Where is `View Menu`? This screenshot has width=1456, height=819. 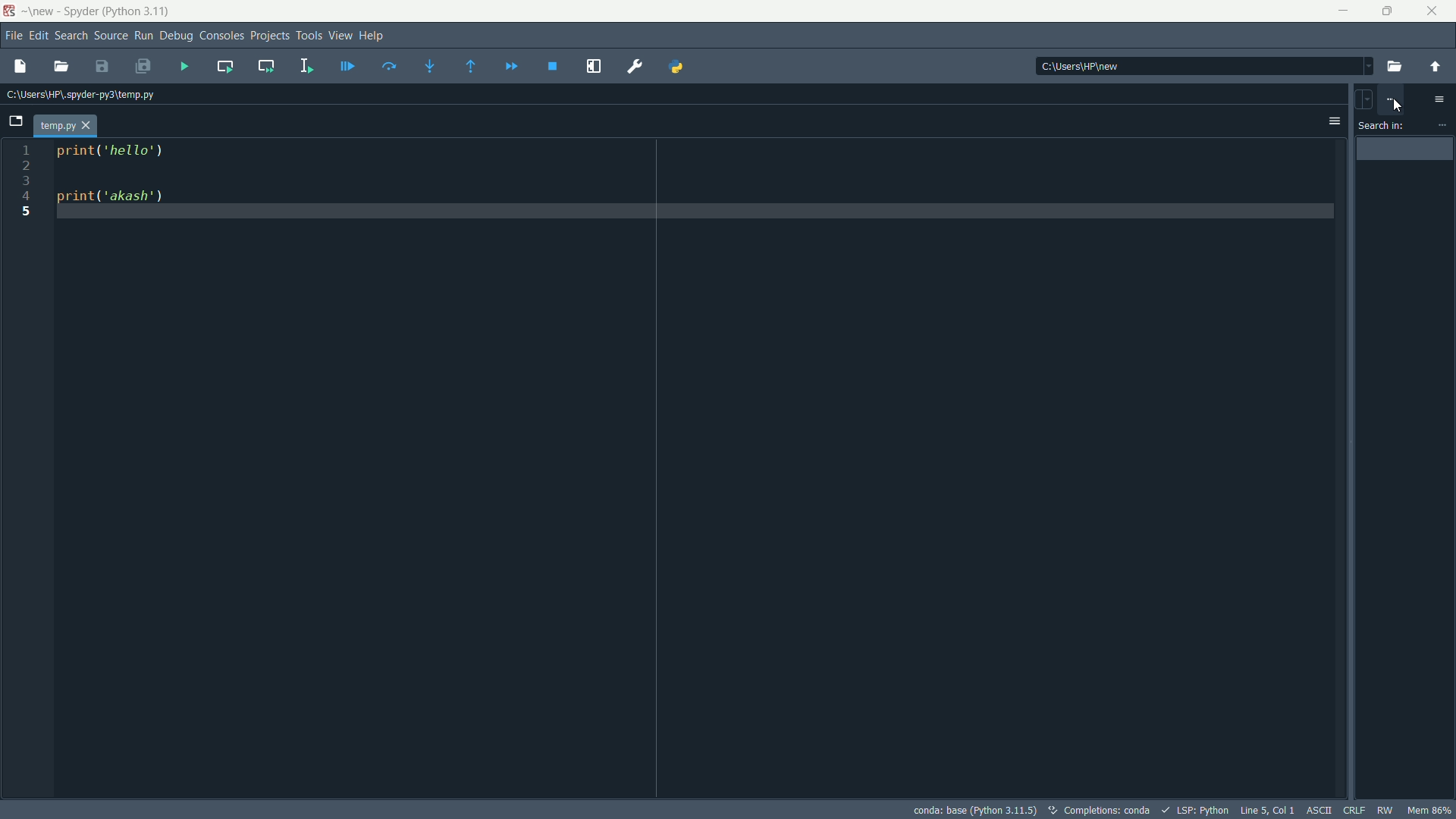
View Menu is located at coordinates (338, 35).